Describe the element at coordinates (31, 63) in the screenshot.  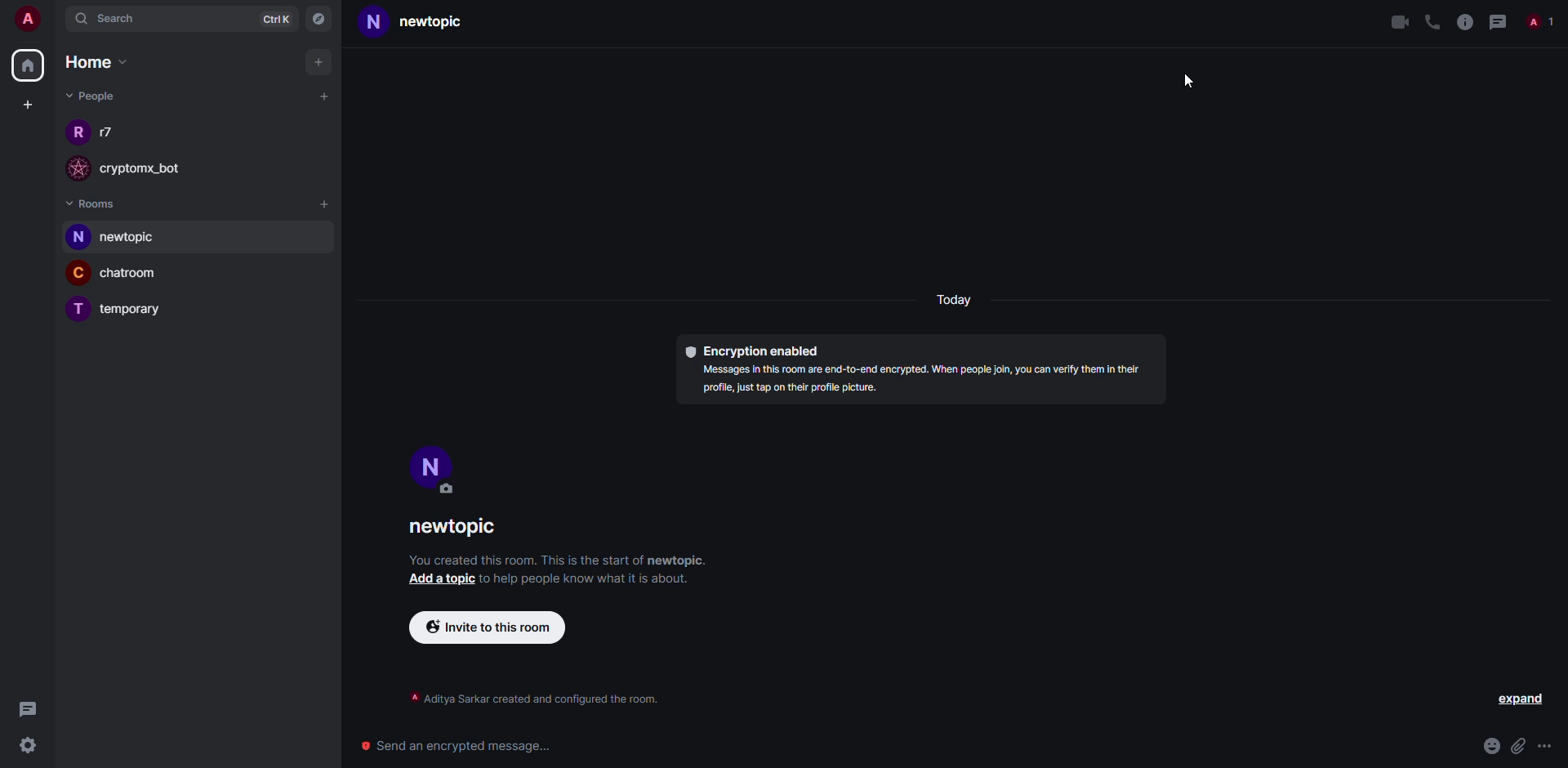
I see `home` at that location.